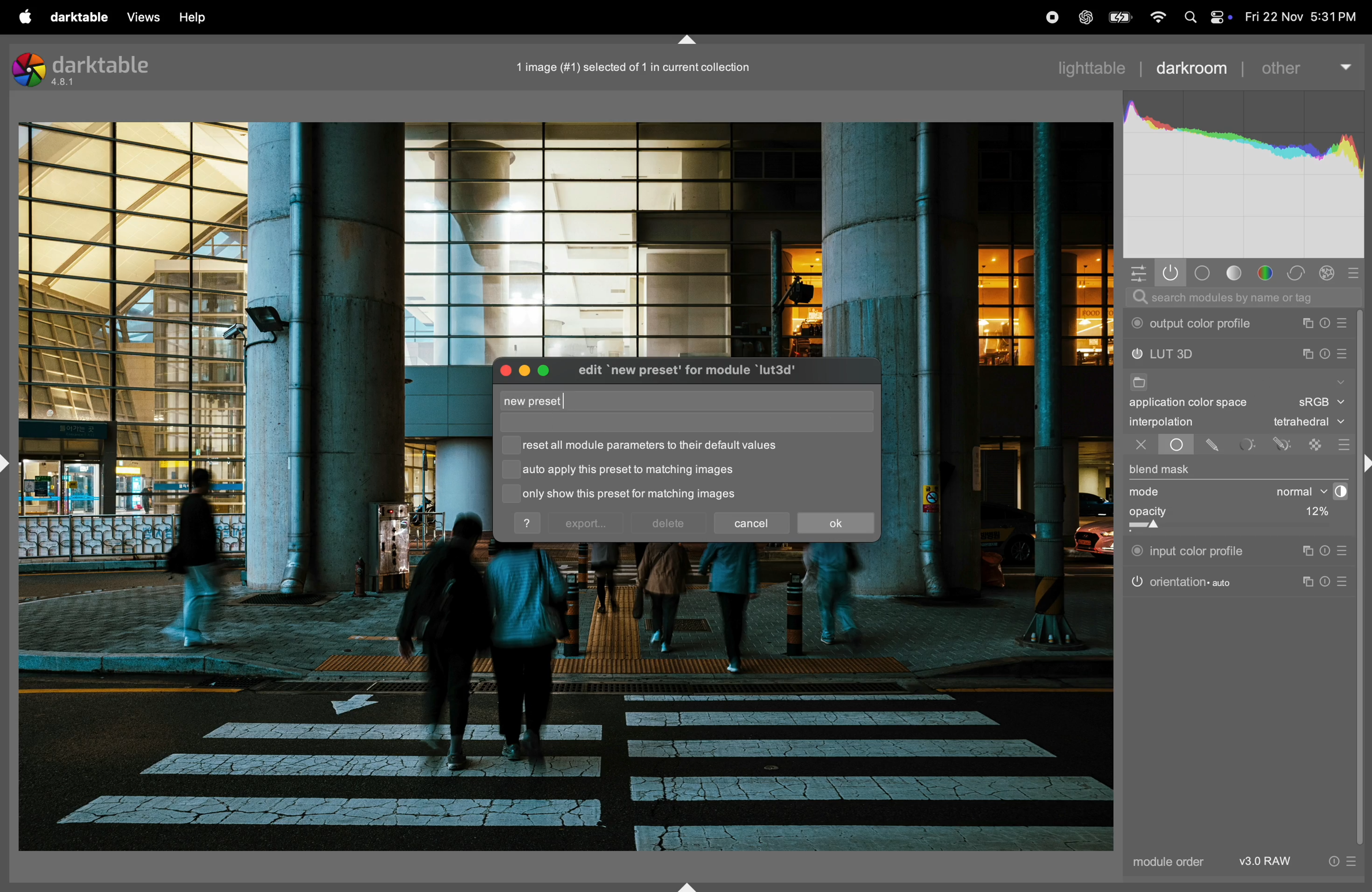 This screenshot has width=1372, height=892. What do you see at coordinates (1308, 323) in the screenshot?
I see `multiple instance actions` at bounding box center [1308, 323].